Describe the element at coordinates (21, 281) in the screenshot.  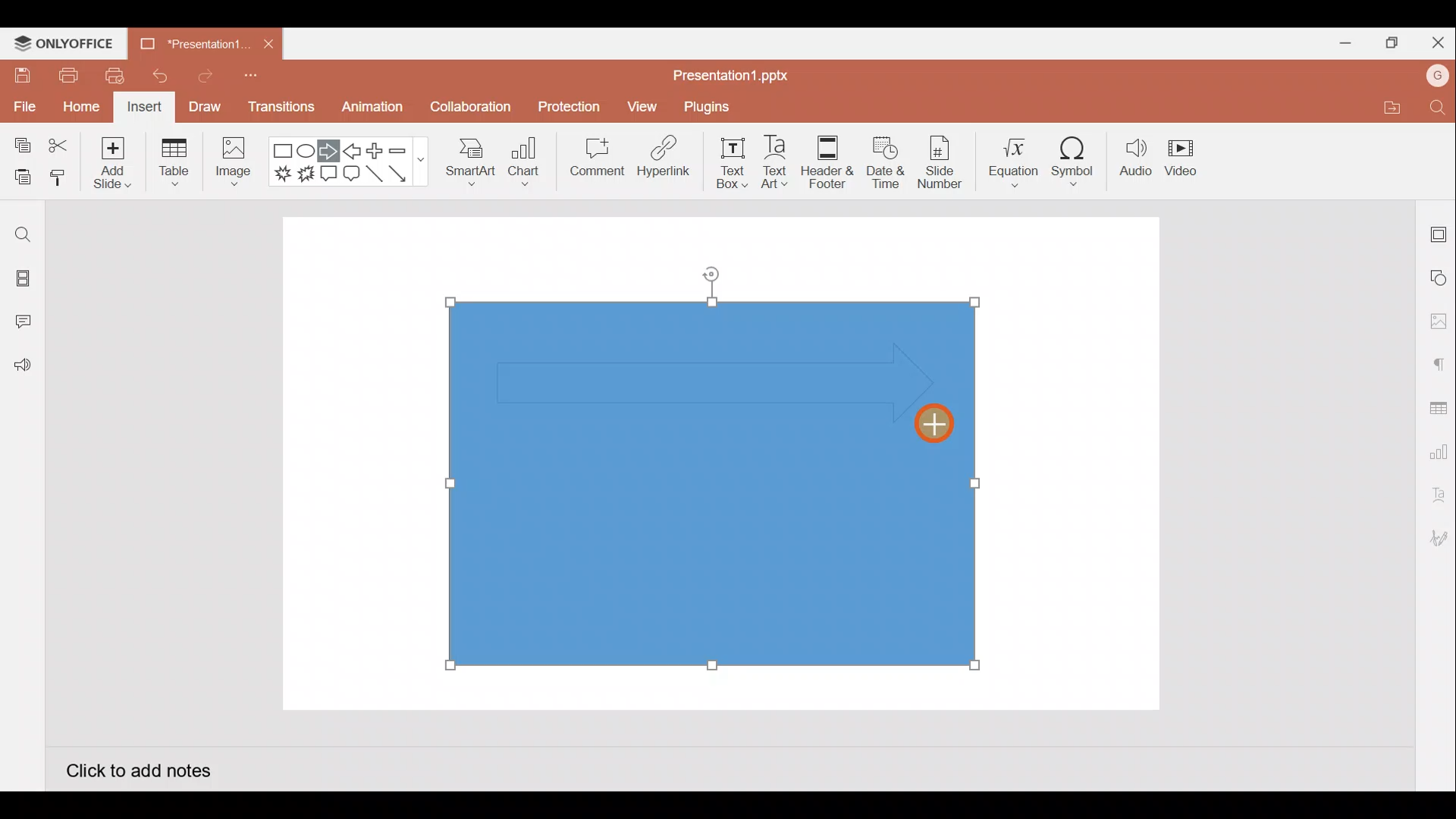
I see `Slides` at that location.